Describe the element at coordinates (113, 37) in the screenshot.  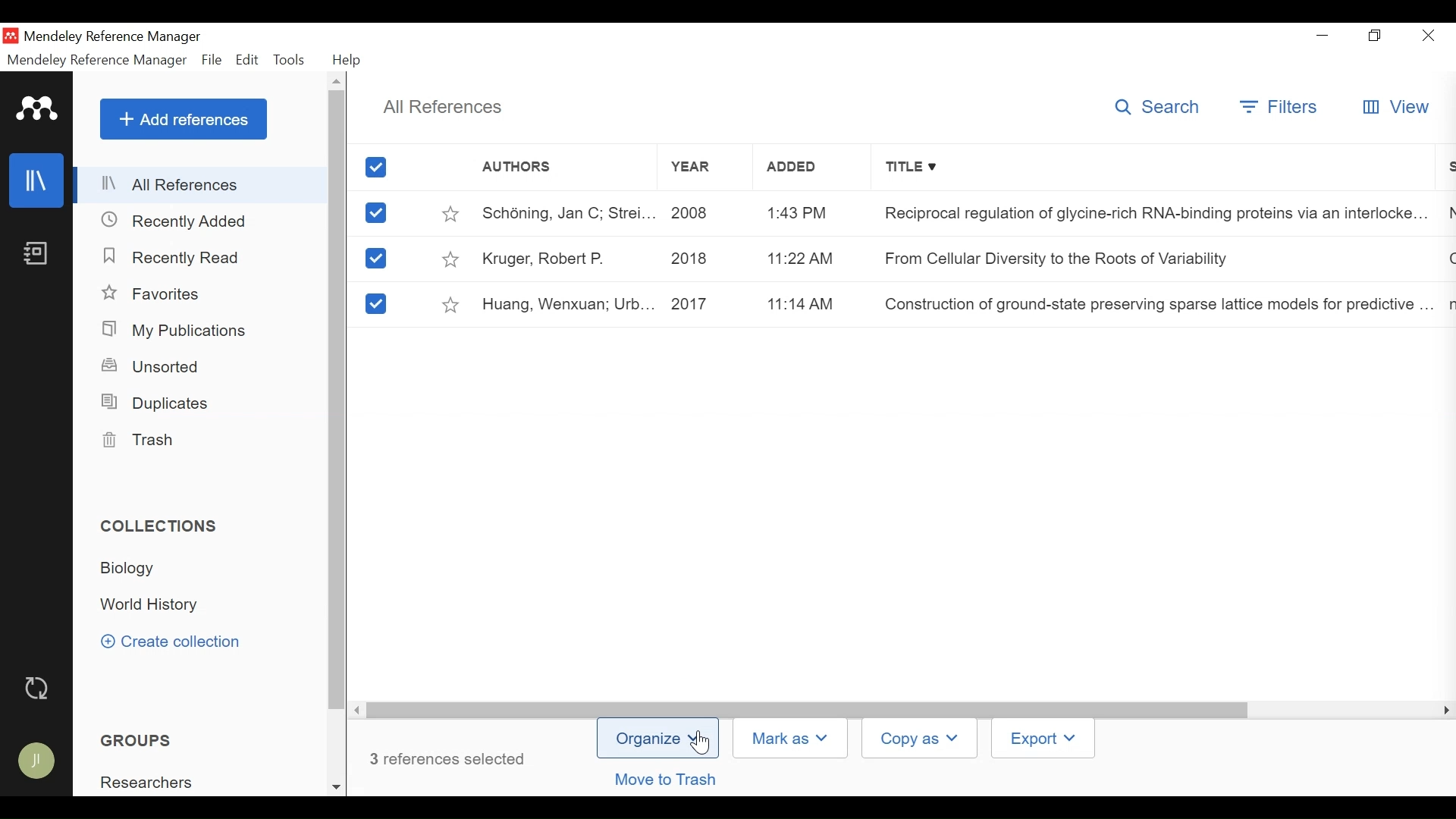
I see `Mendeley Reference Manager` at that location.